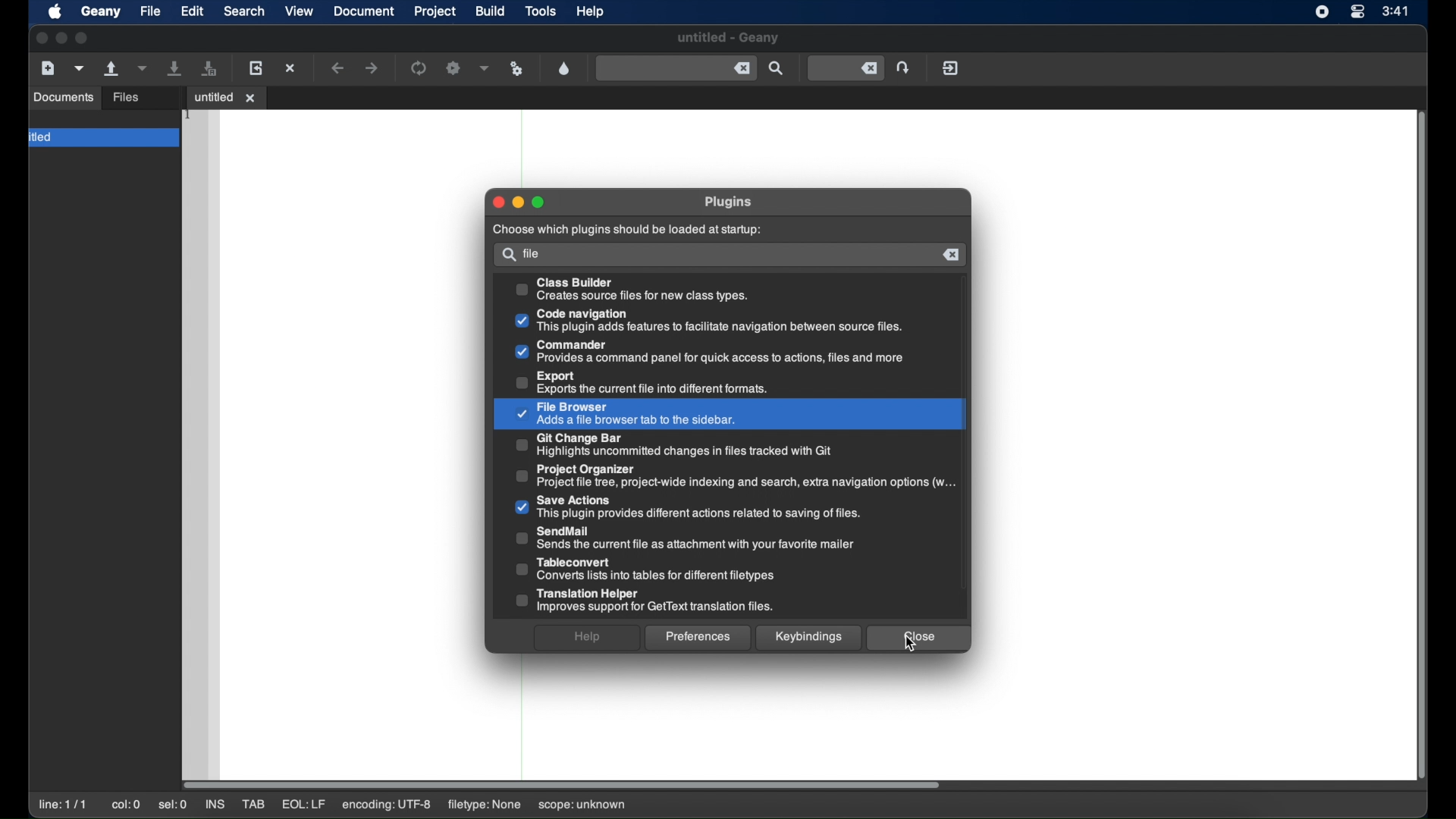 Image resolution: width=1456 pixels, height=819 pixels. What do you see at coordinates (255, 805) in the screenshot?
I see `tab` at bounding box center [255, 805].